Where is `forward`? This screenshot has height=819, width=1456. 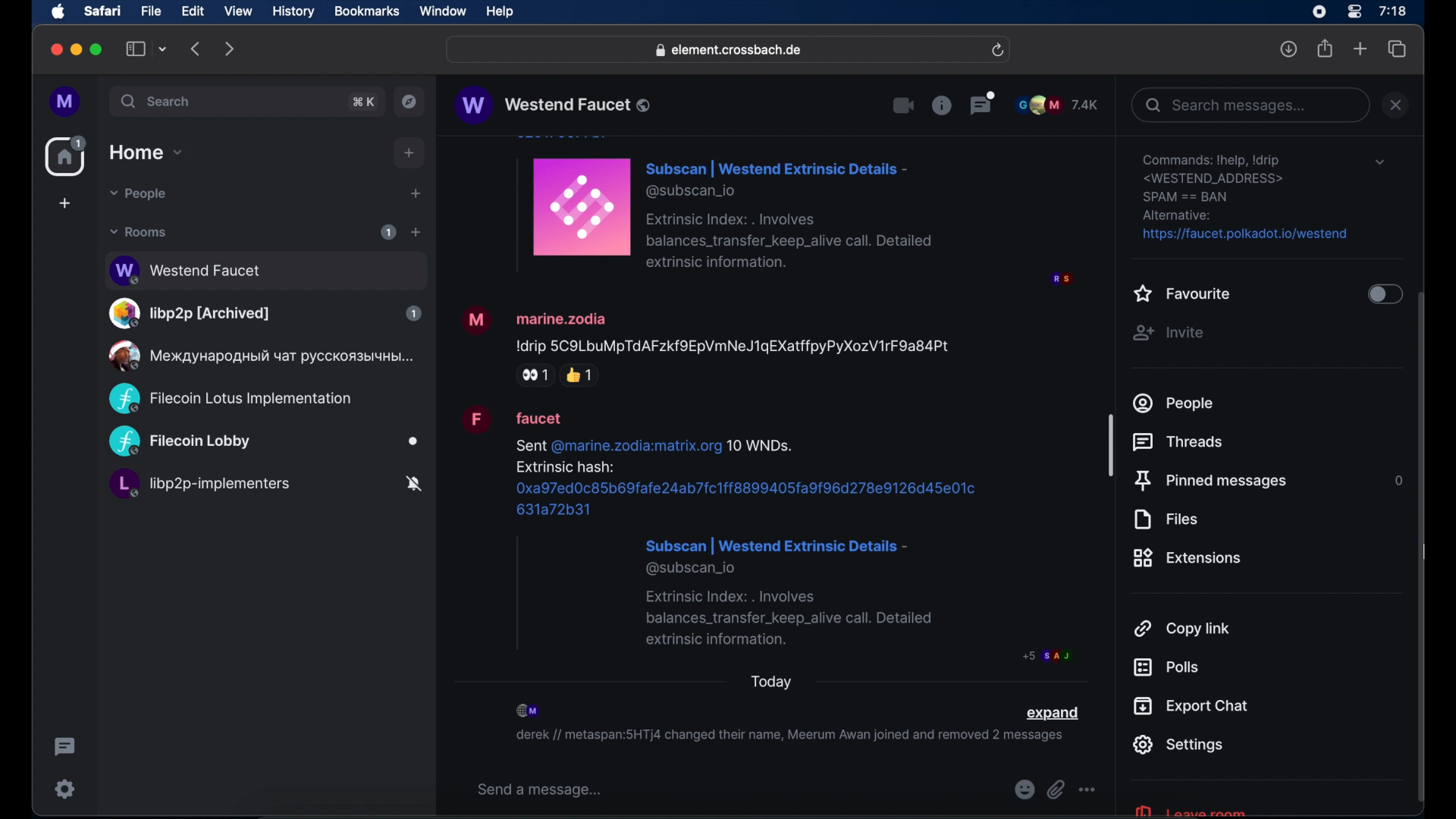
forward is located at coordinates (230, 49).